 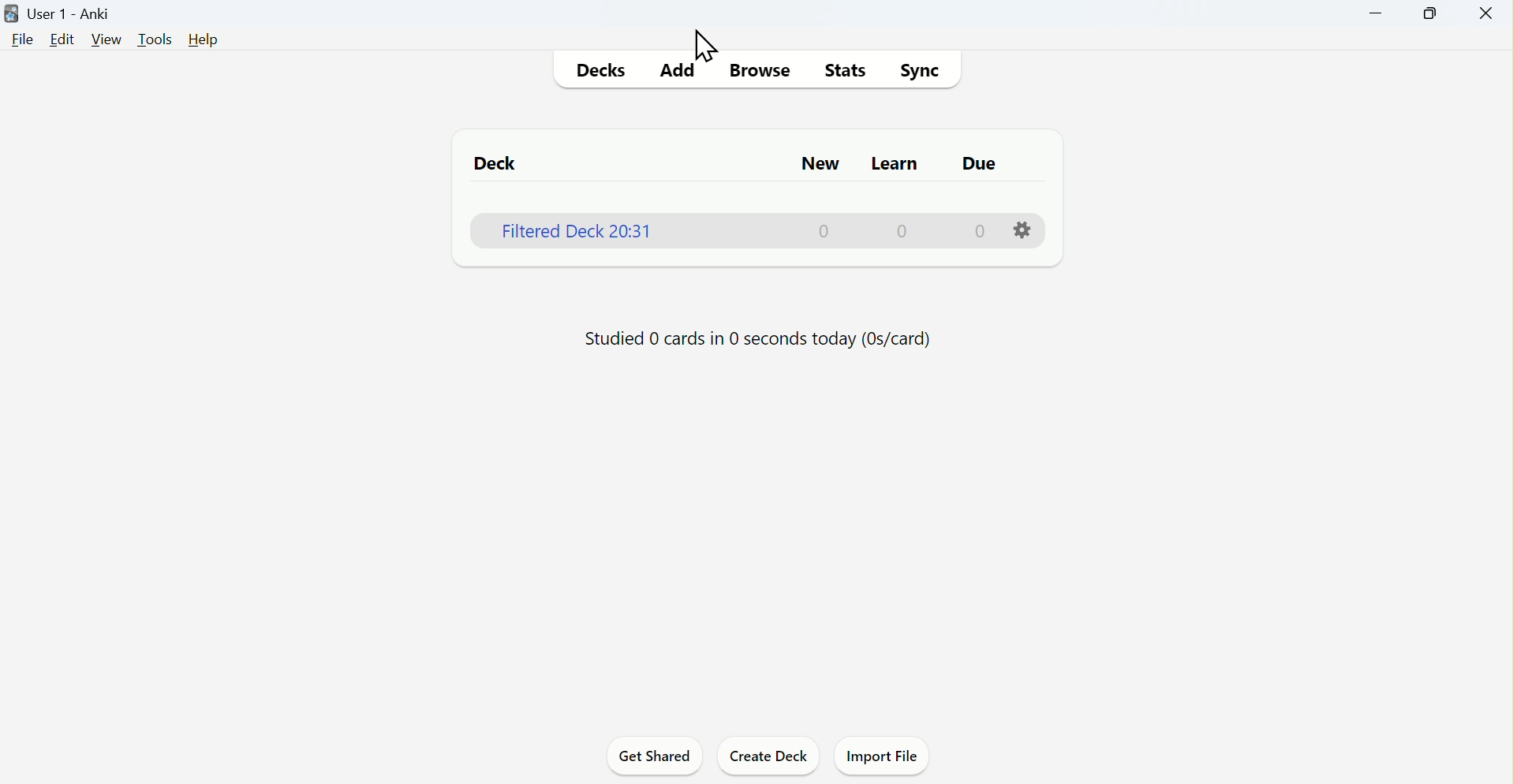 I want to click on Cursor, so click(x=712, y=47).